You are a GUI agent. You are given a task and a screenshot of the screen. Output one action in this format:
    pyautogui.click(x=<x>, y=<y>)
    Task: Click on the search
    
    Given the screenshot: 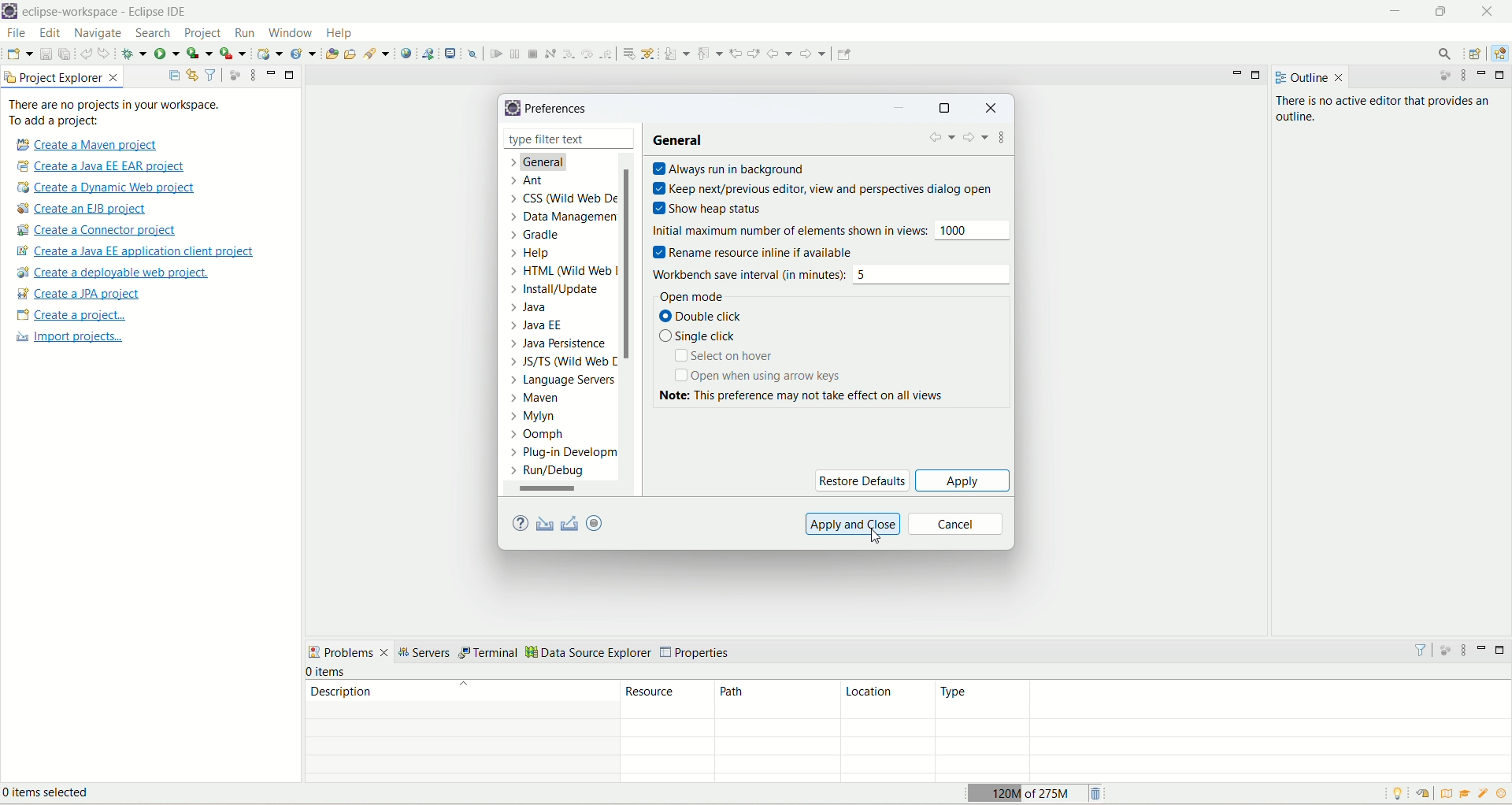 What is the action you would take?
    pyautogui.click(x=378, y=54)
    